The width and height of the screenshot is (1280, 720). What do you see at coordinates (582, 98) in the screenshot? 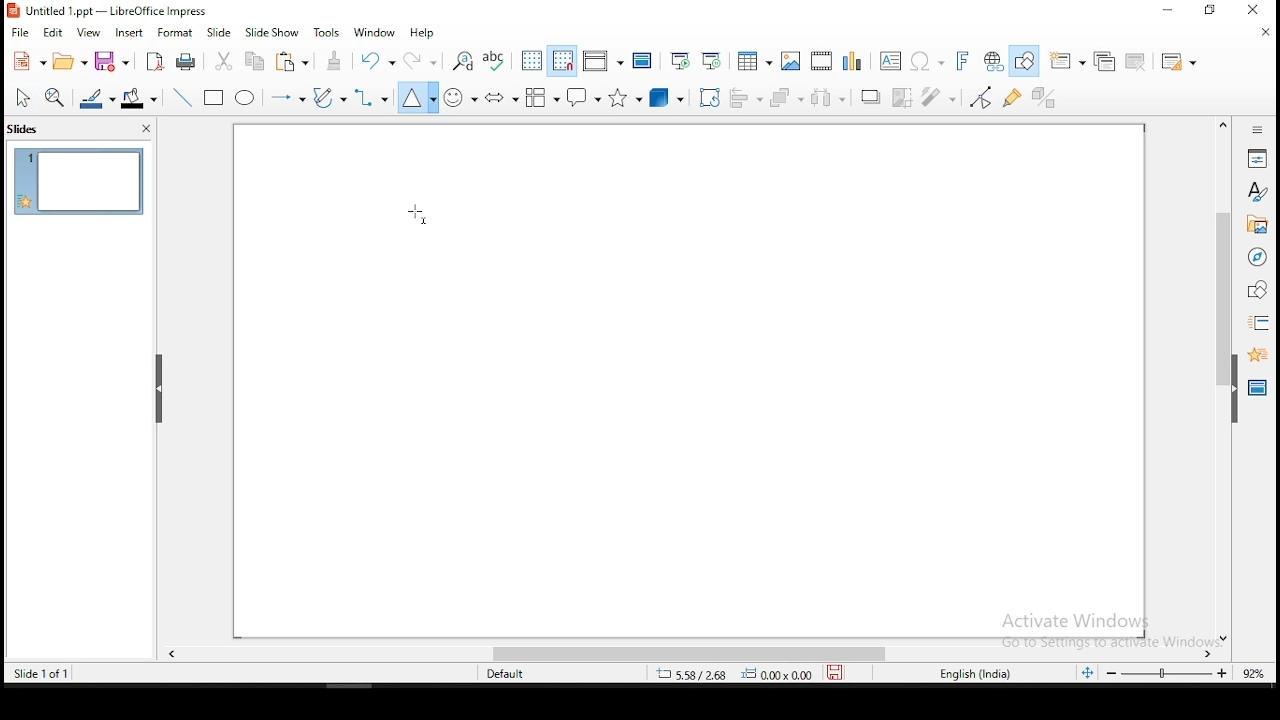
I see `callout shapes` at bounding box center [582, 98].